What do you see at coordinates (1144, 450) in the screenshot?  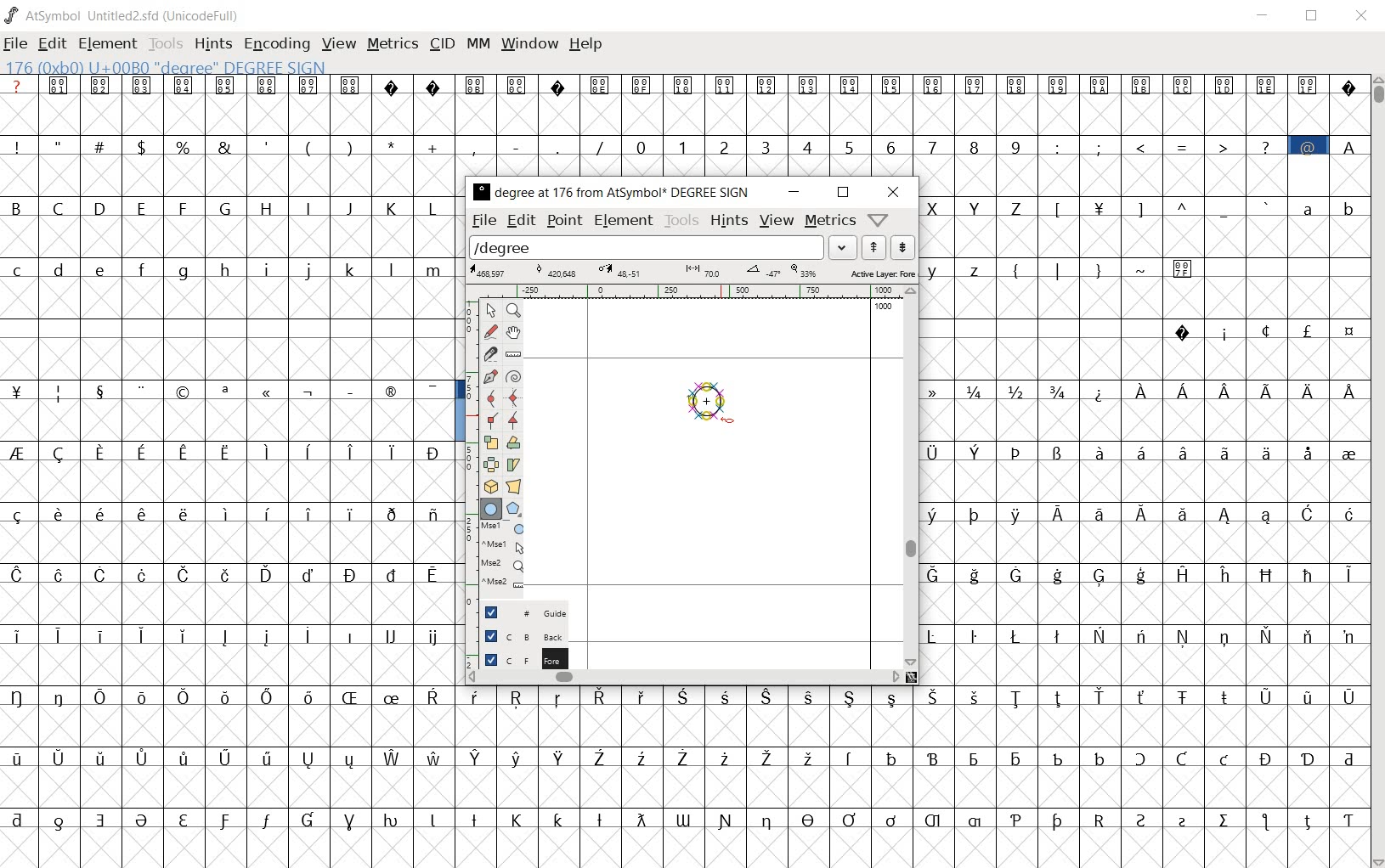 I see `special letters` at bounding box center [1144, 450].